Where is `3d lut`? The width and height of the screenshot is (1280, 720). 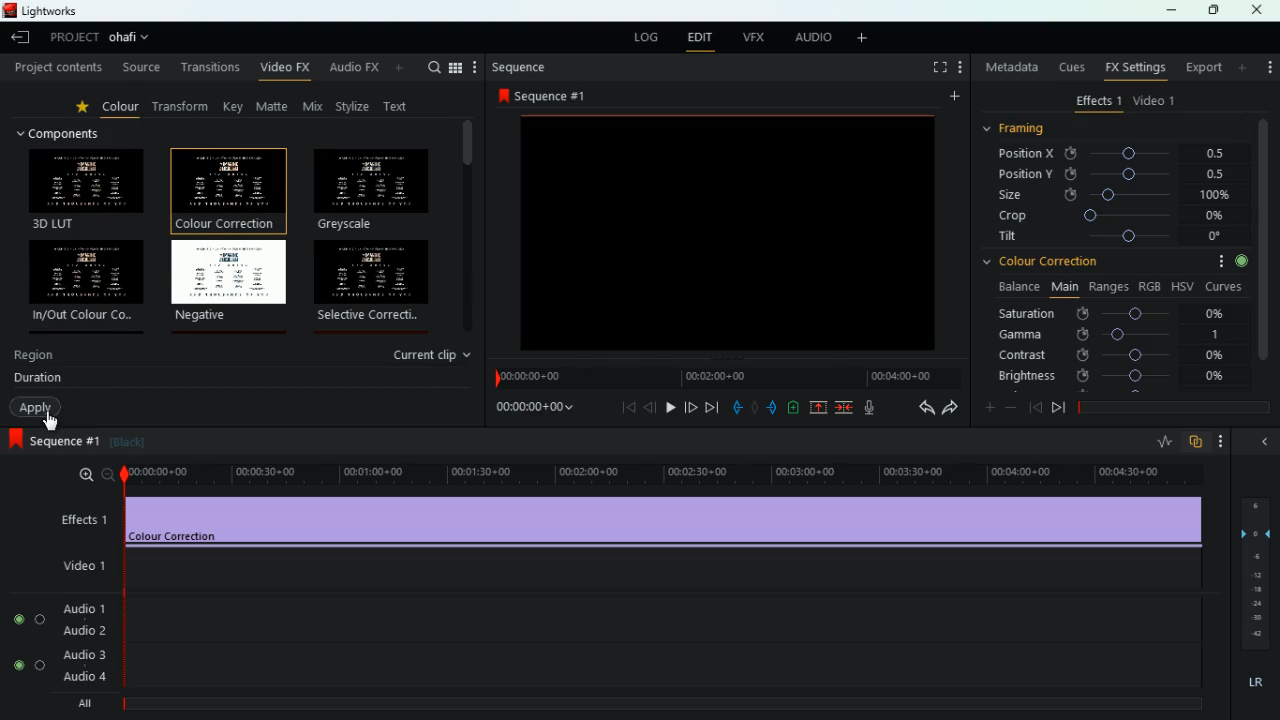 3d lut is located at coordinates (88, 189).